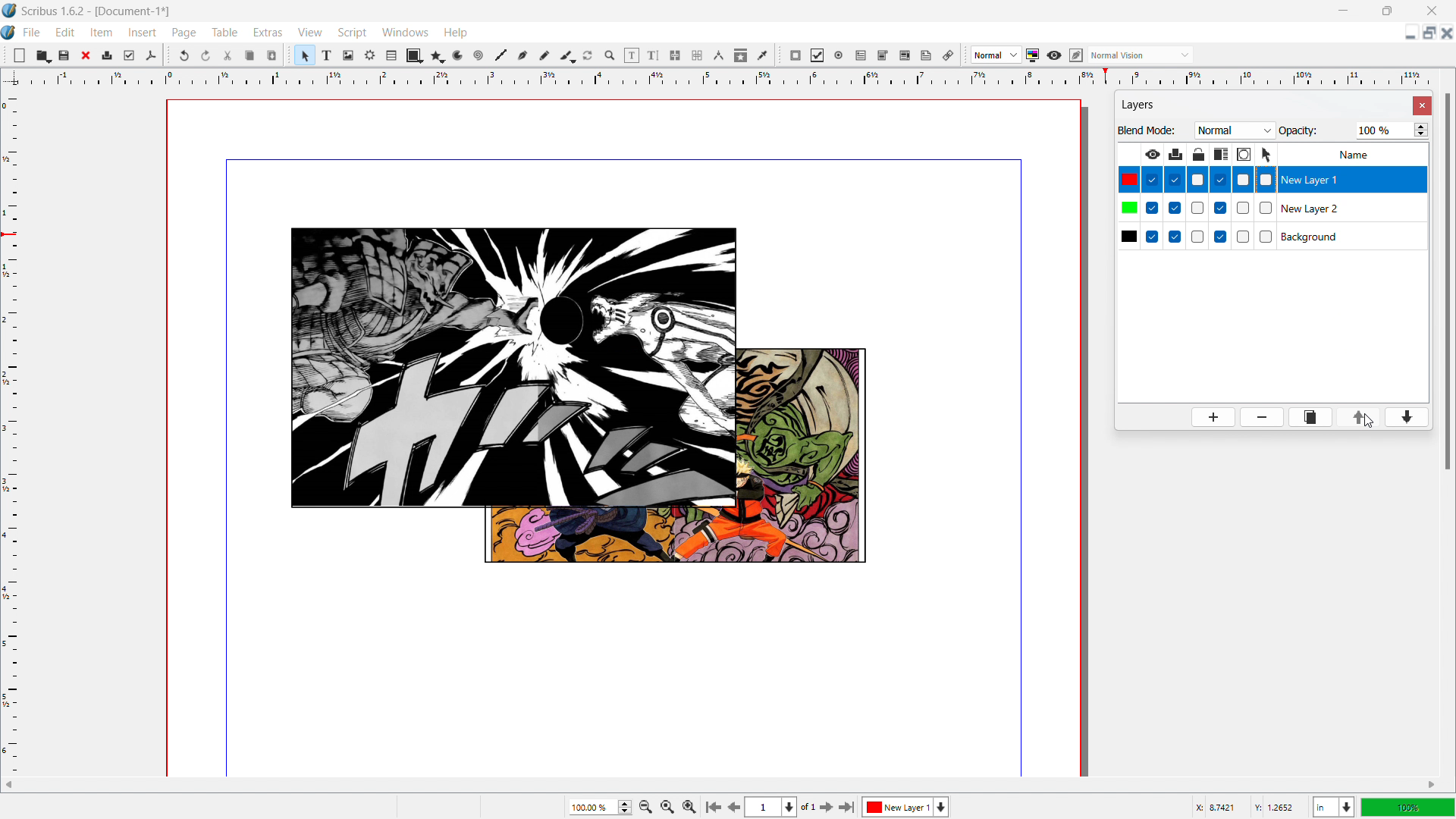 Image resolution: width=1456 pixels, height=819 pixels. Describe the element at coordinates (438, 55) in the screenshot. I see `polygon` at that location.